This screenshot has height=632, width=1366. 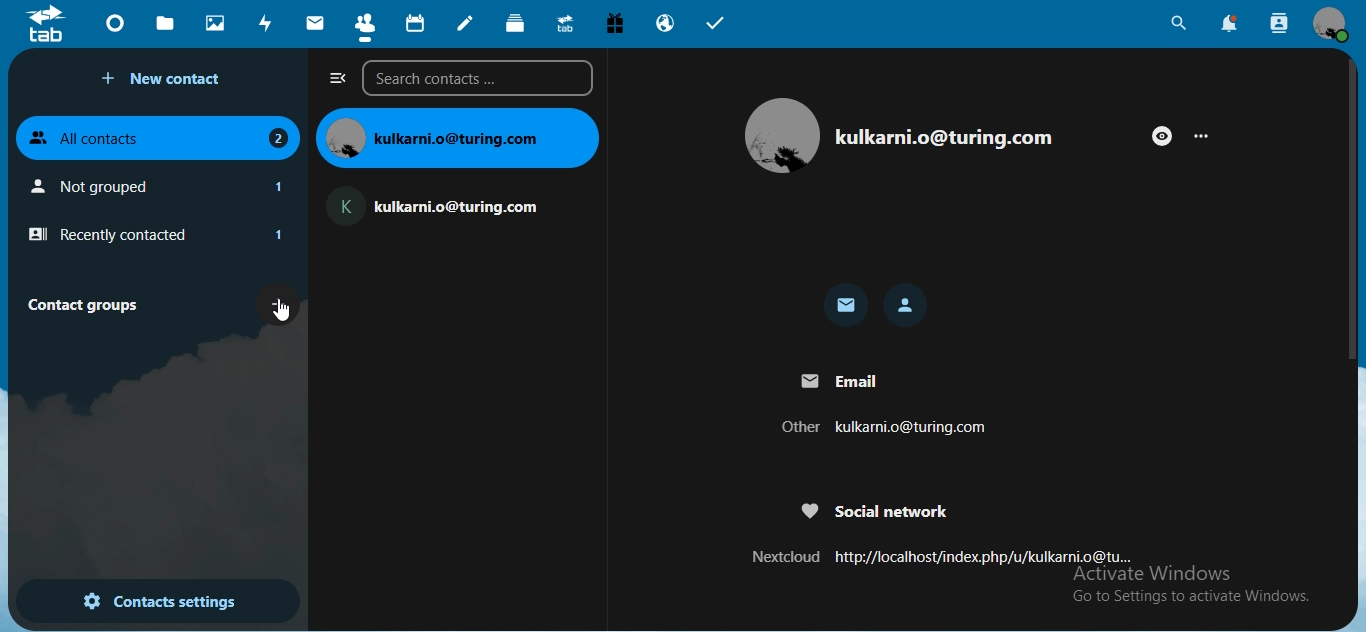 I want to click on cursor, so click(x=284, y=316).